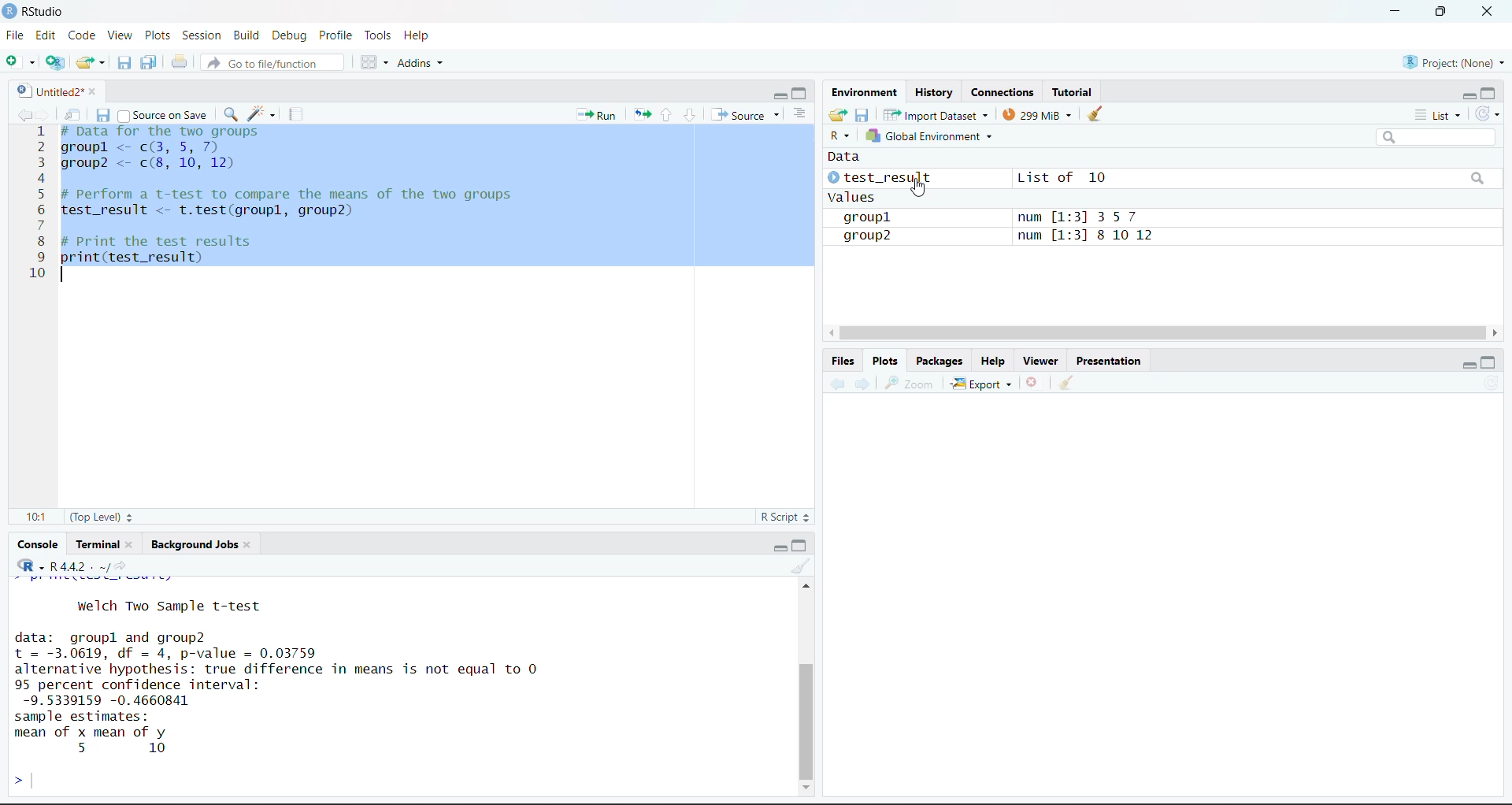 Image resolution: width=1512 pixels, height=805 pixels. What do you see at coordinates (1491, 362) in the screenshot?
I see `maximize` at bounding box center [1491, 362].